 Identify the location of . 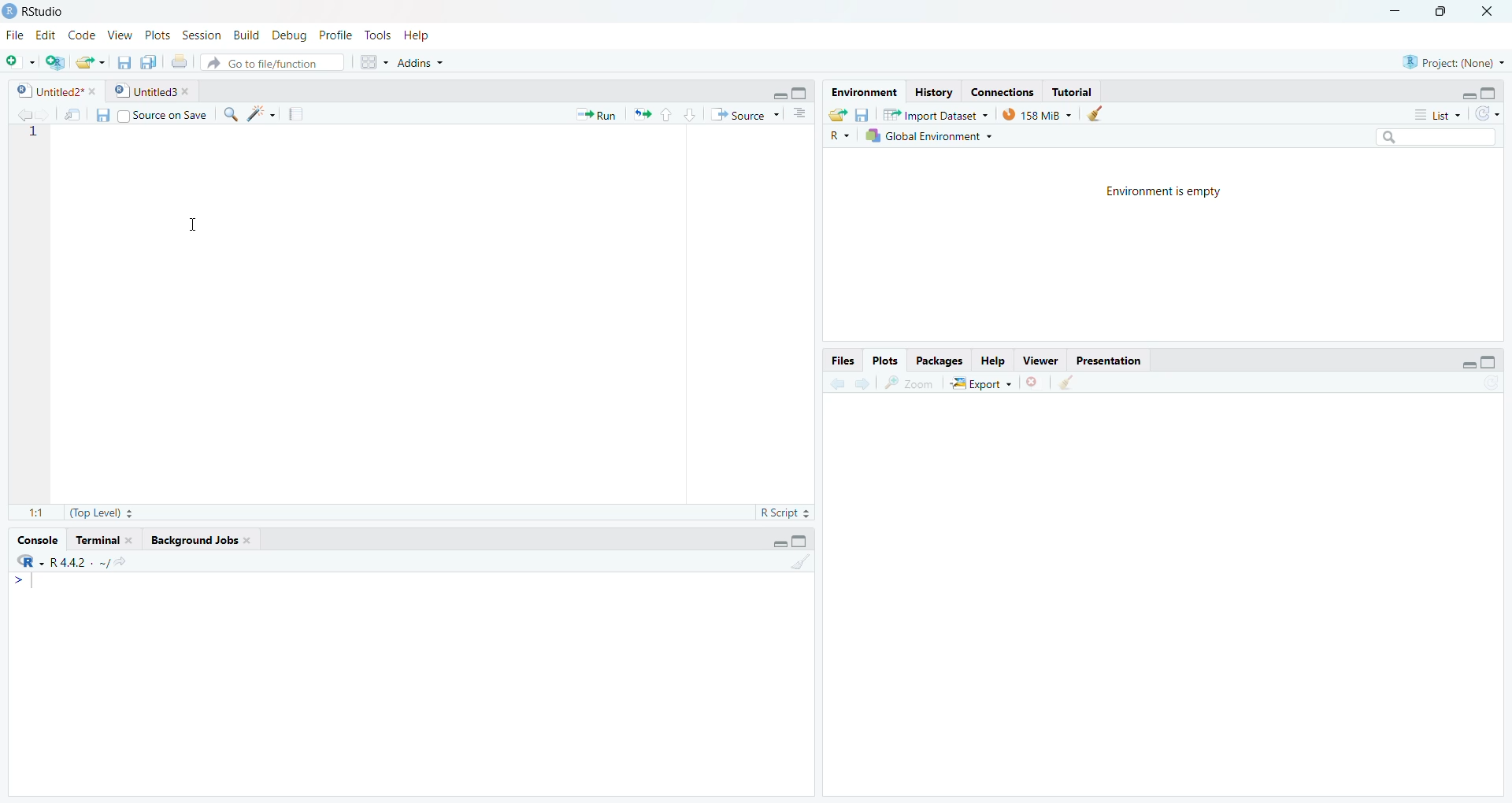
(835, 113).